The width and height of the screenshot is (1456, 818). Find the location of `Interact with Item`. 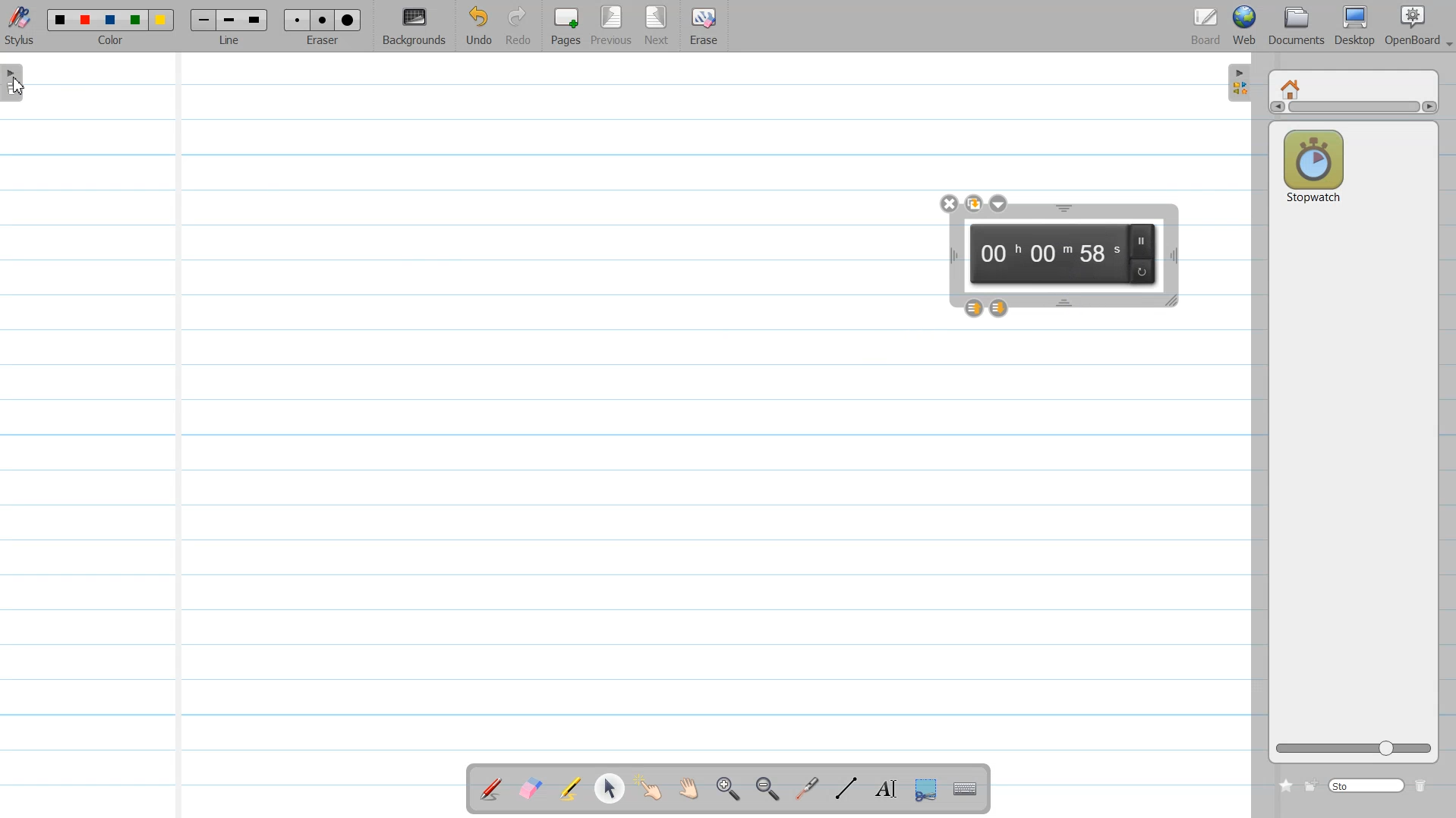

Interact with Item is located at coordinates (652, 788).